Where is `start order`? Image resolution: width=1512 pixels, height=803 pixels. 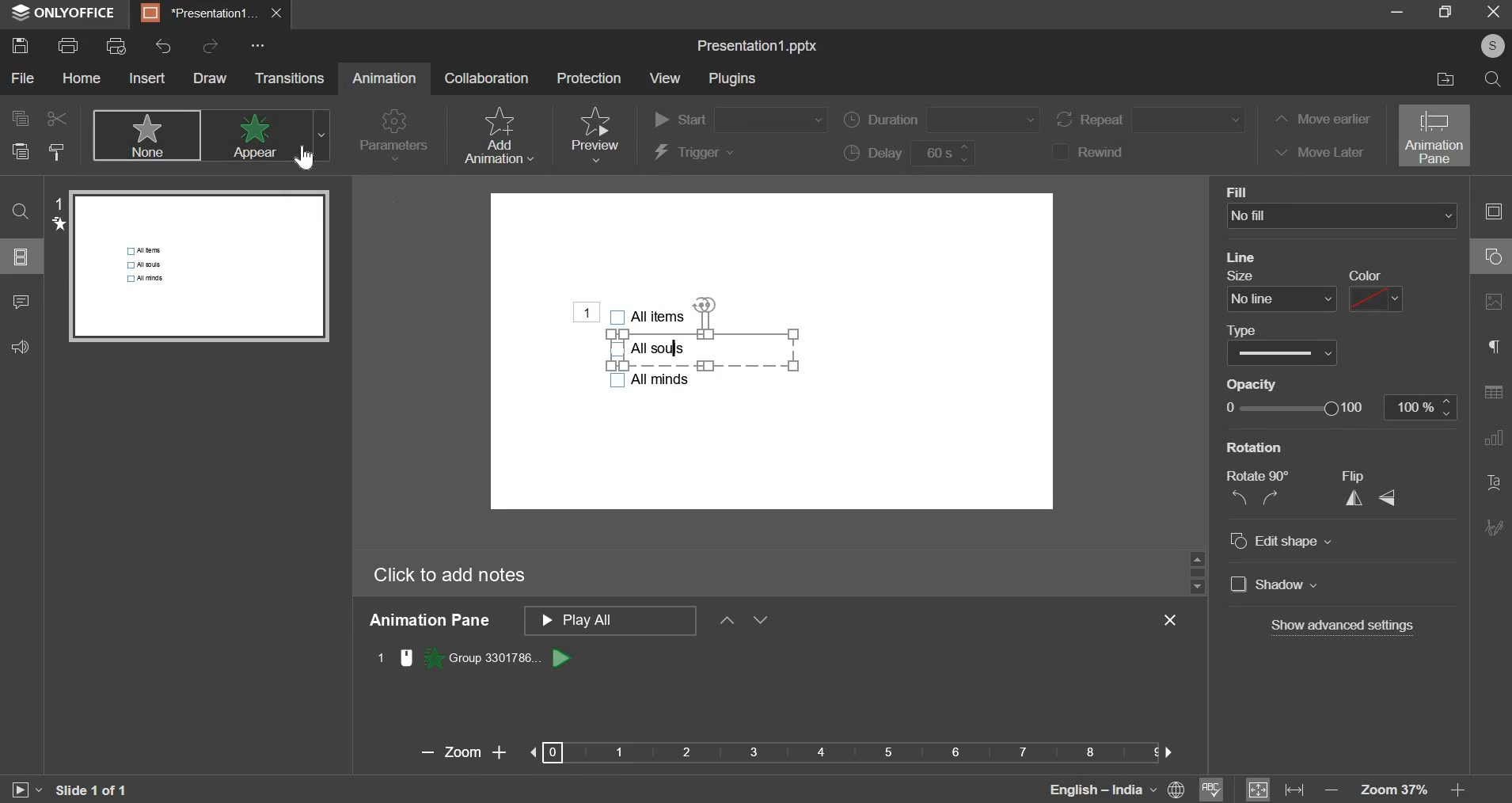
start order is located at coordinates (739, 120).